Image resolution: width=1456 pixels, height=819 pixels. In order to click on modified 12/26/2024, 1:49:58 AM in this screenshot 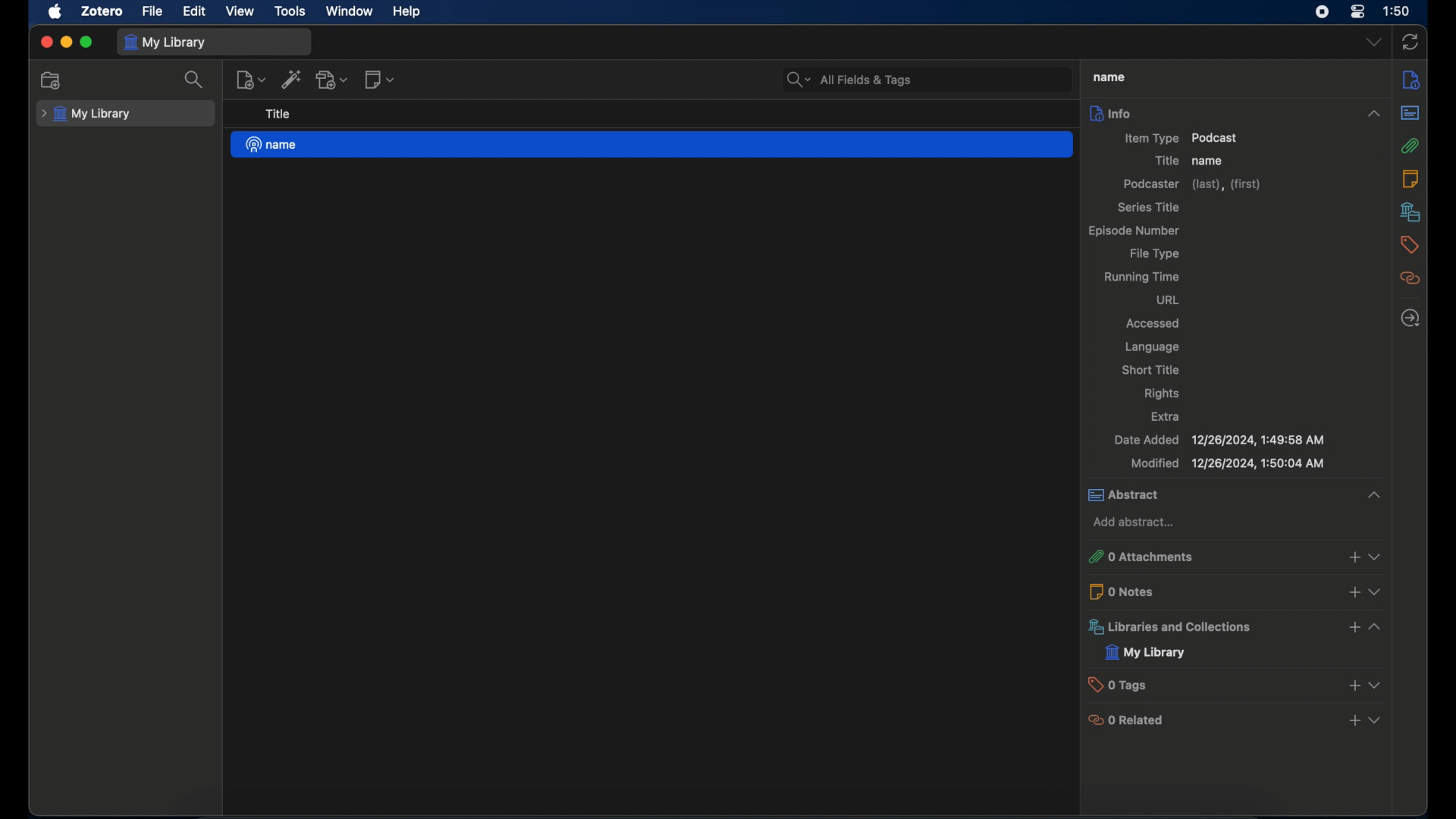, I will do `click(1228, 464)`.